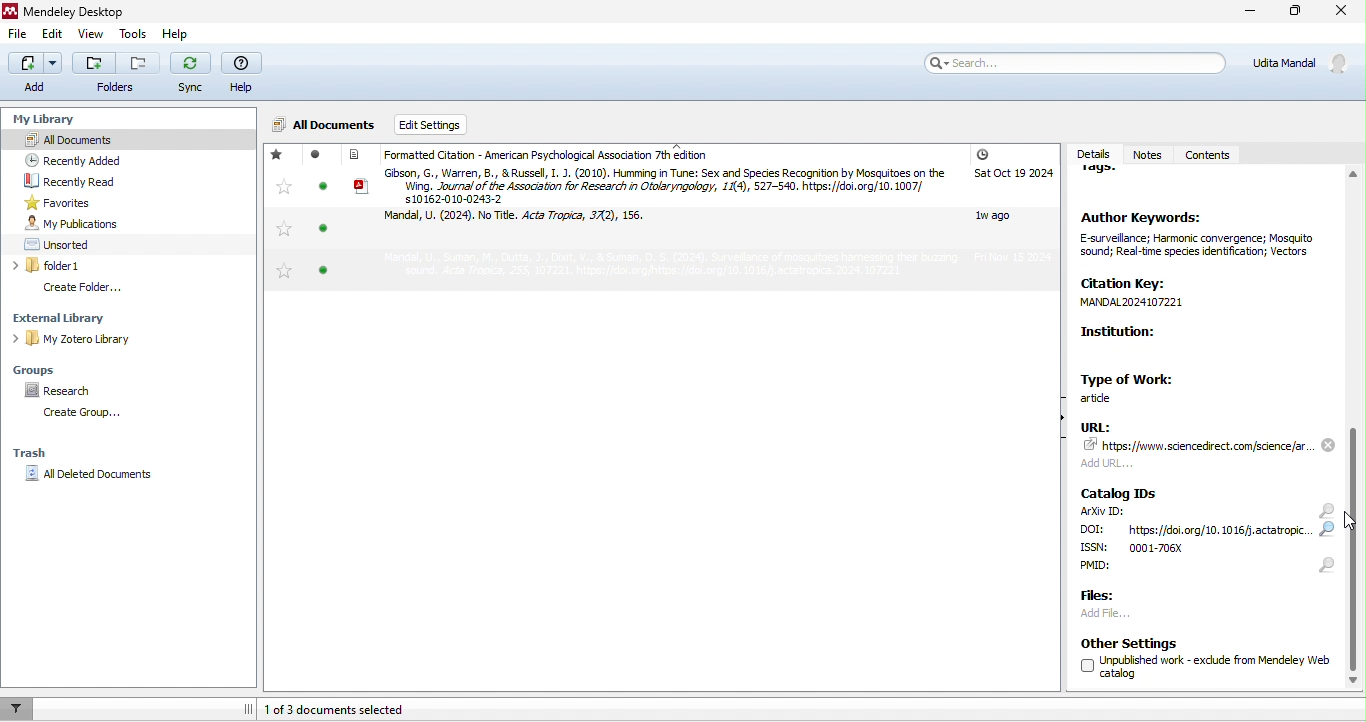 This screenshot has width=1366, height=722. Describe the element at coordinates (99, 287) in the screenshot. I see `create folder` at that location.